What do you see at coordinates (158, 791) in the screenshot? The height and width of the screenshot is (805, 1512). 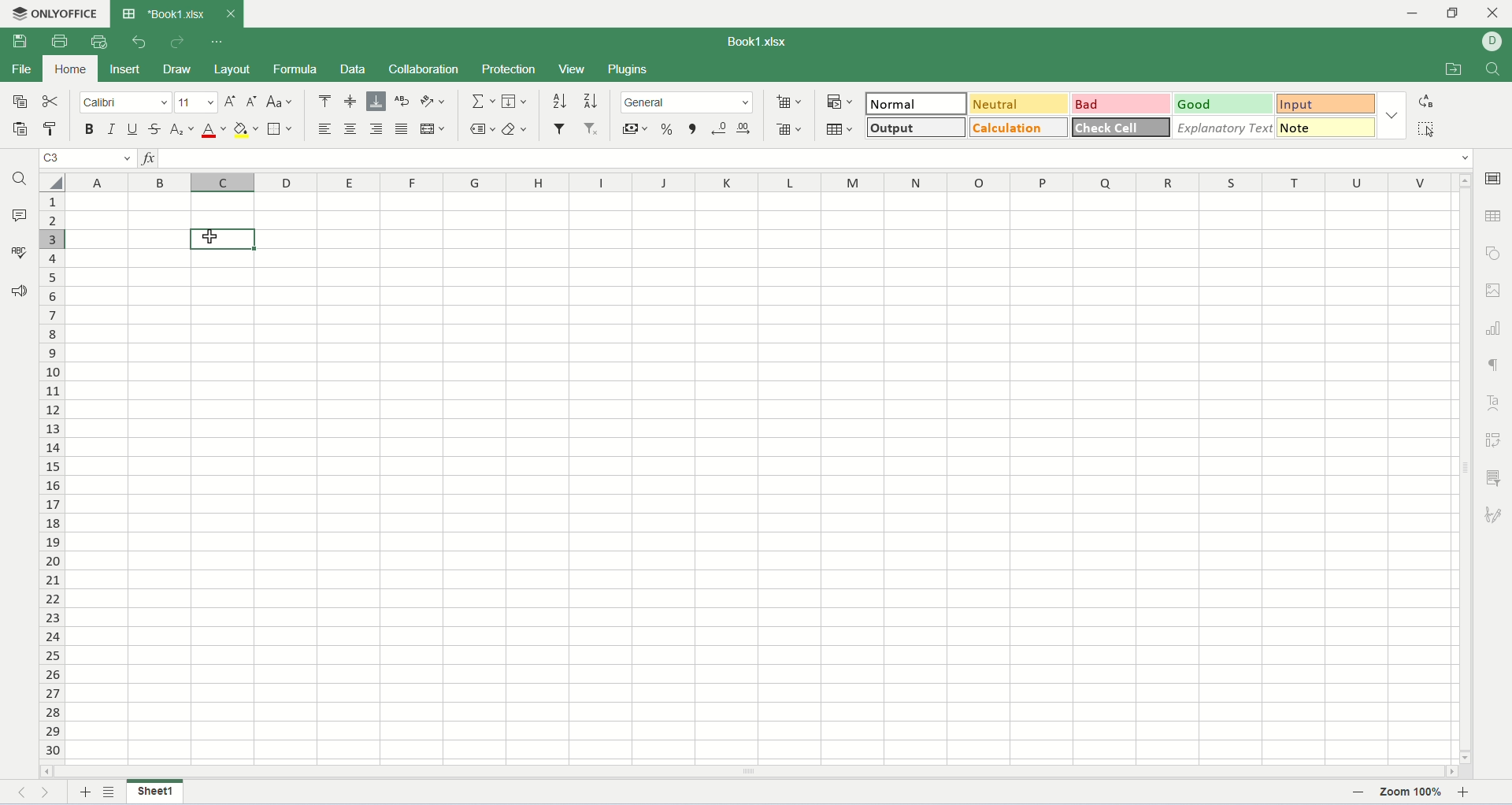 I see `sheet name` at bounding box center [158, 791].